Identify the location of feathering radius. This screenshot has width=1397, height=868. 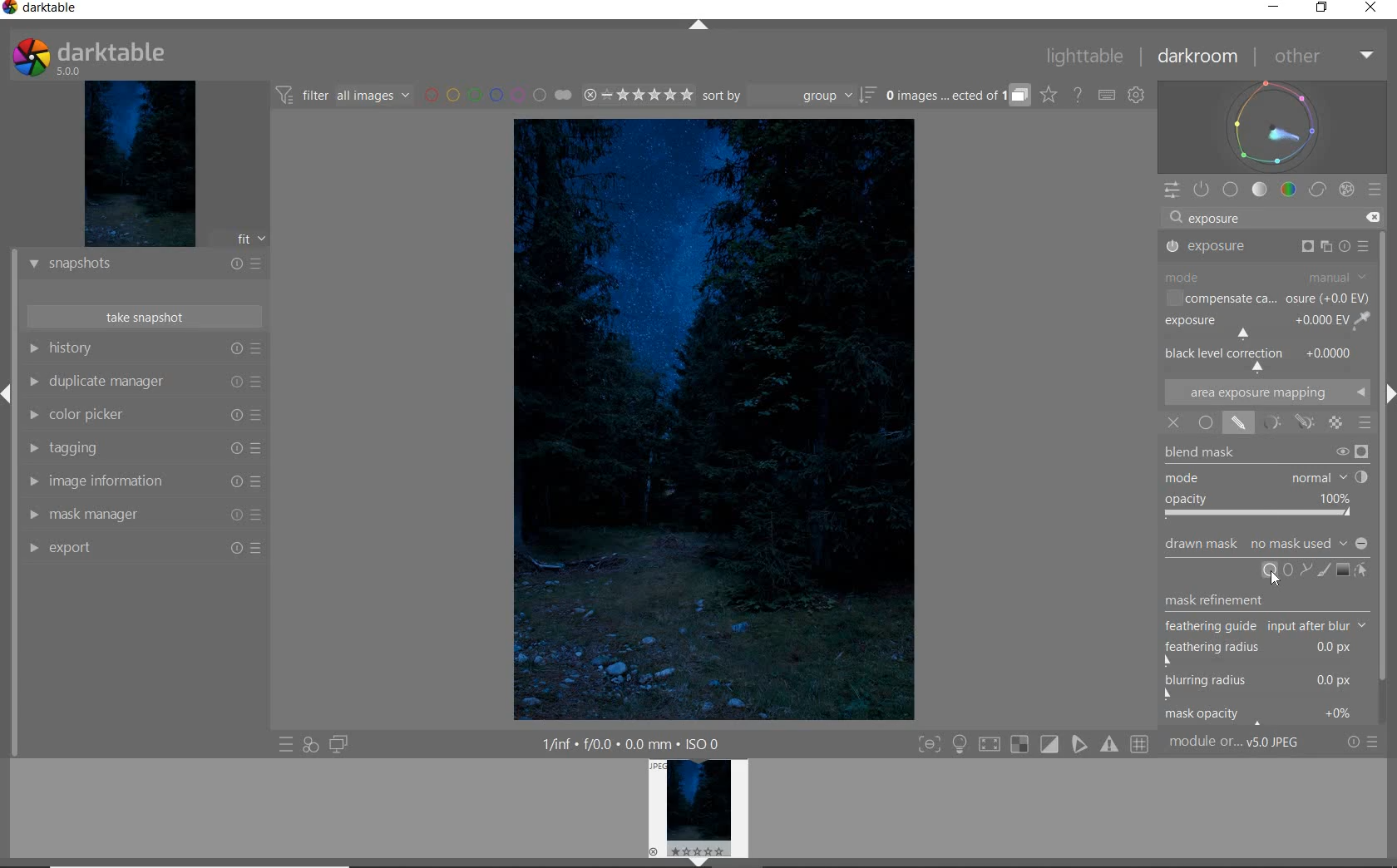
(1265, 653).